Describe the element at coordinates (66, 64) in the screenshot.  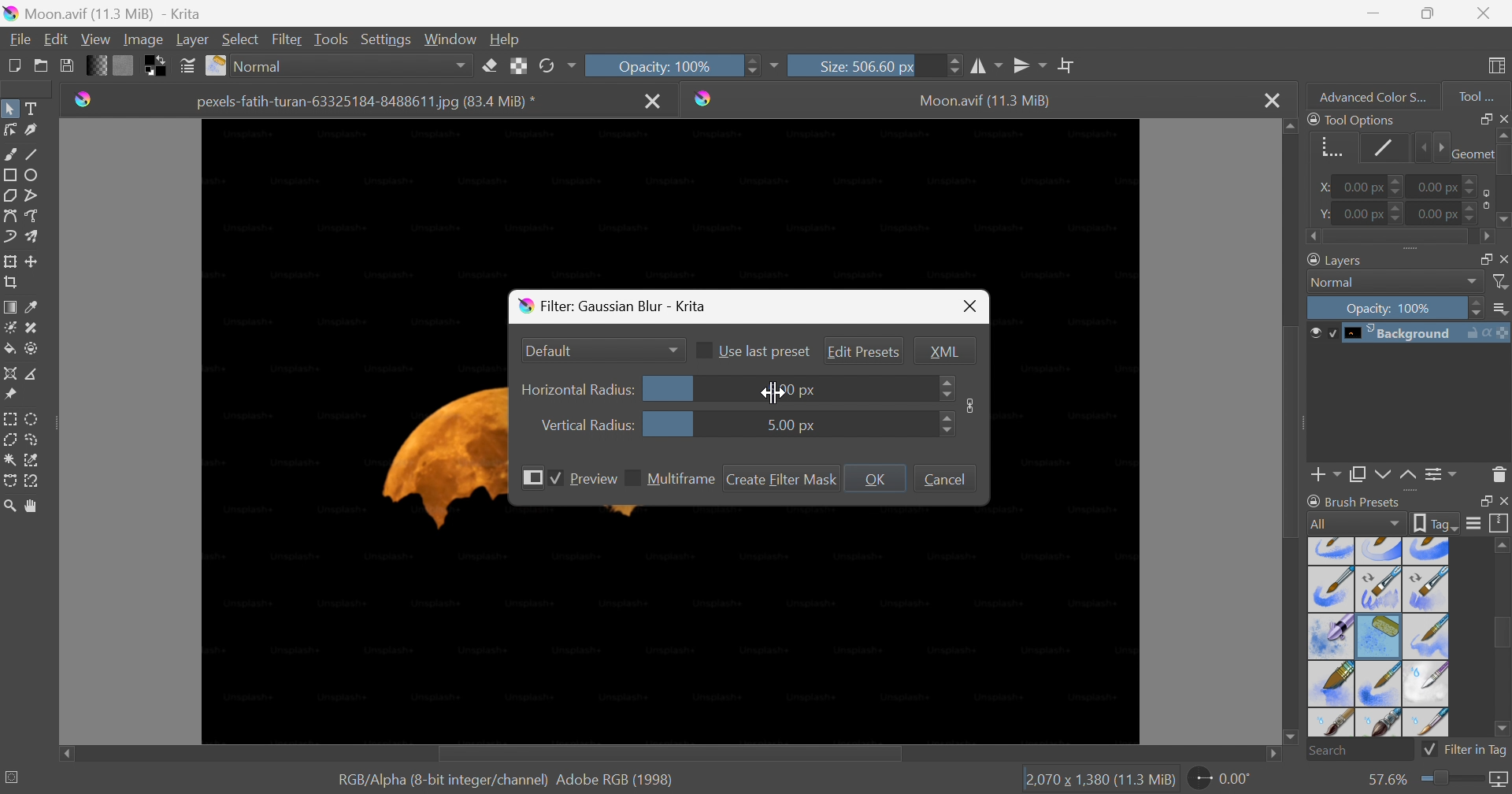
I see `Save` at that location.